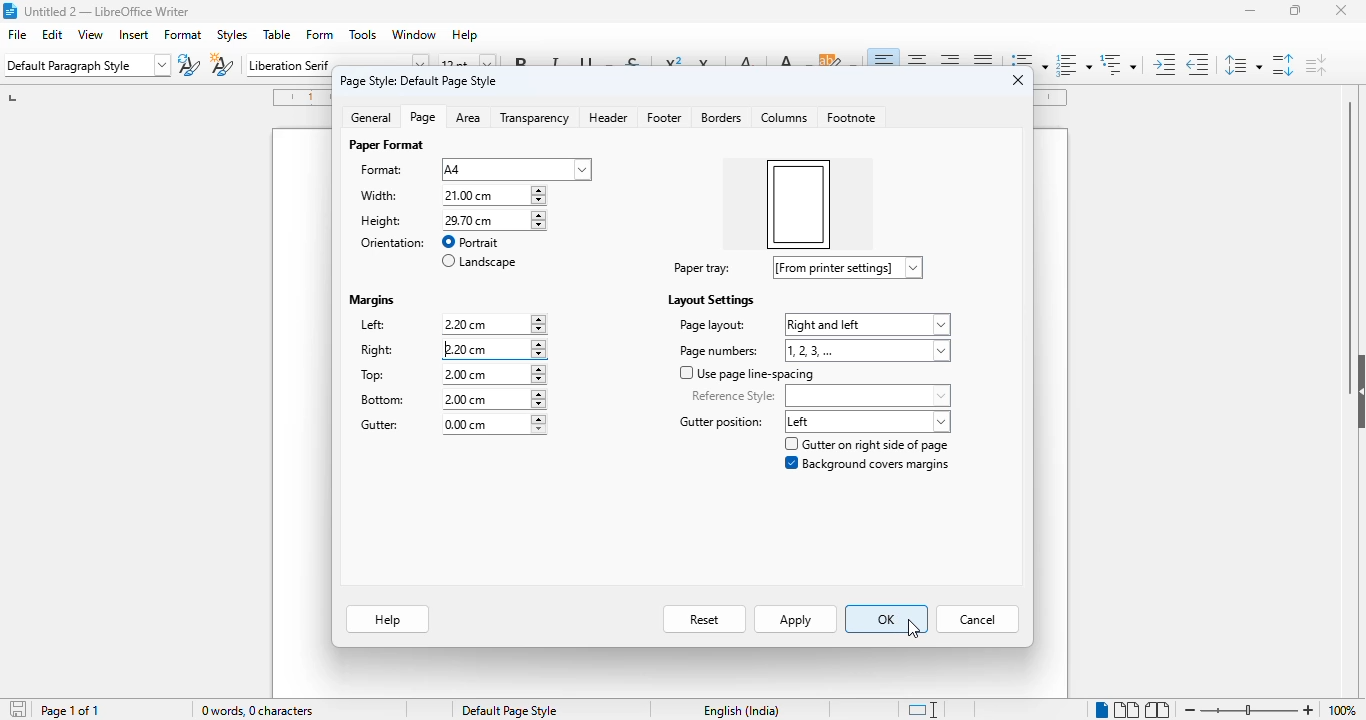 The image size is (1366, 720). I want to click on background covers margins, so click(867, 464).